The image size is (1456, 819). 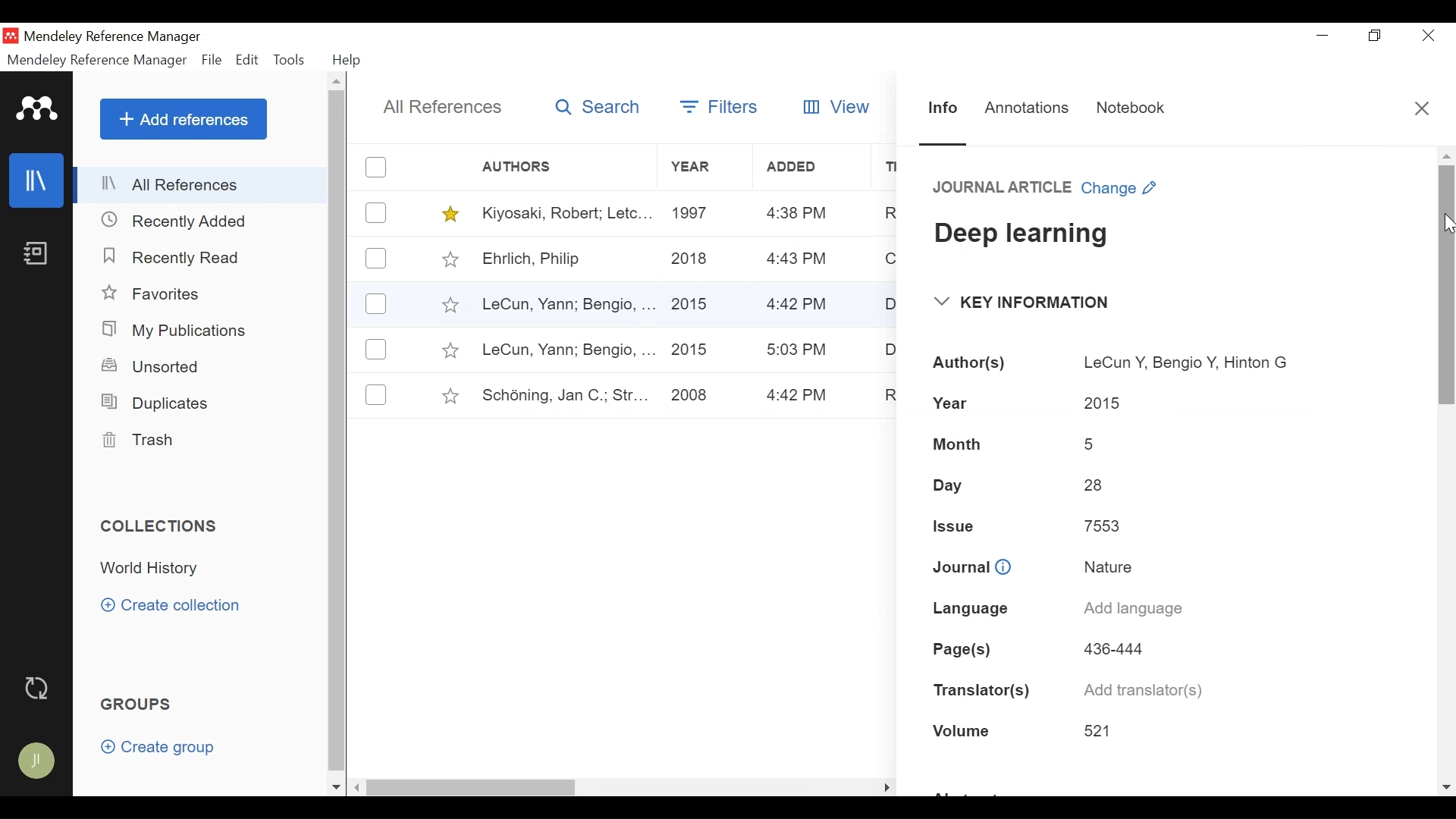 What do you see at coordinates (96, 60) in the screenshot?
I see `Mendeley Reference Manager` at bounding box center [96, 60].